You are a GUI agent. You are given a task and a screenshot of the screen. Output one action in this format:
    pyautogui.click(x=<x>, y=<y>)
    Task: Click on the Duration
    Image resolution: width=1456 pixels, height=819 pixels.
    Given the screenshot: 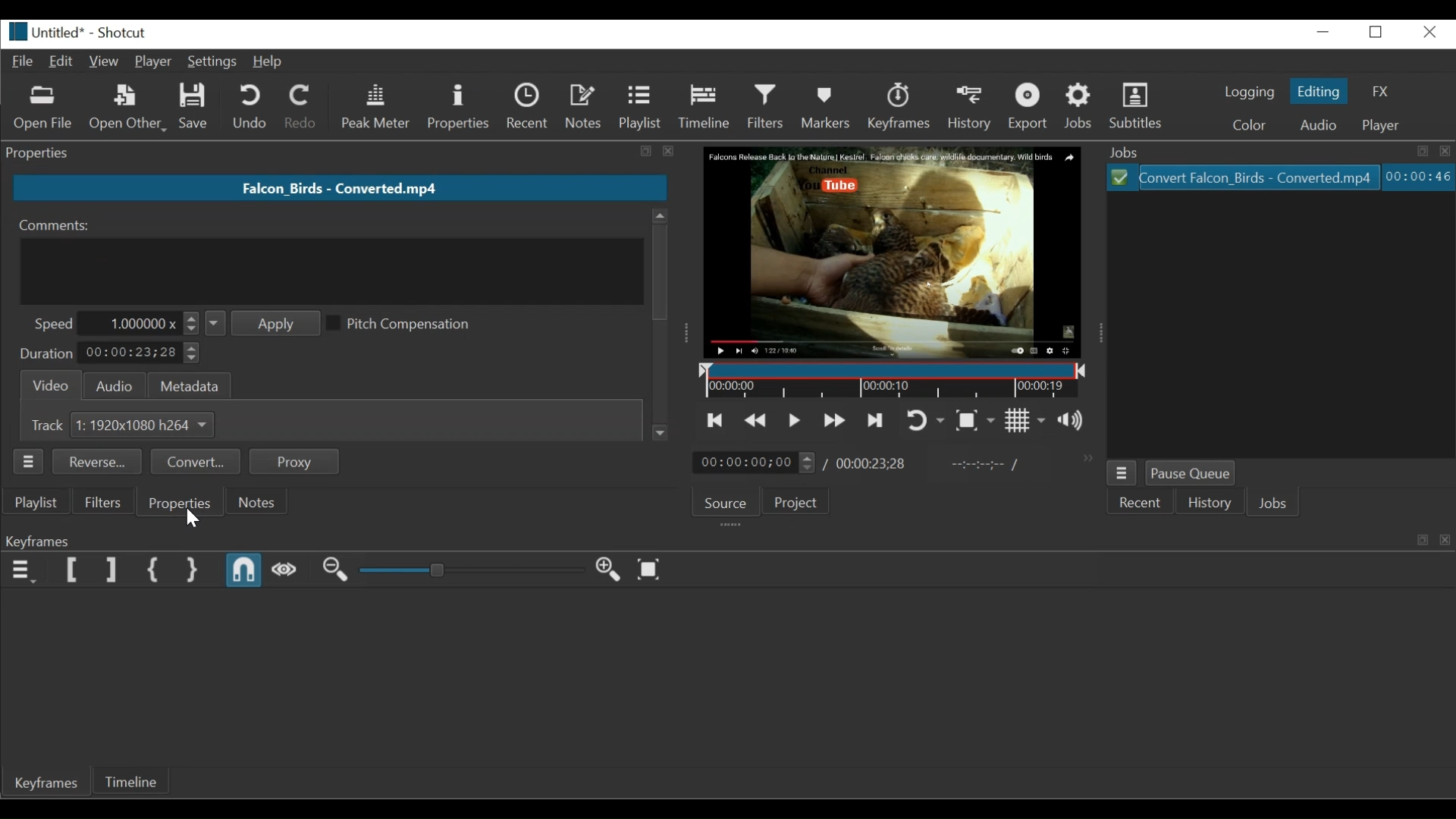 What is the action you would take?
    pyautogui.click(x=44, y=354)
    